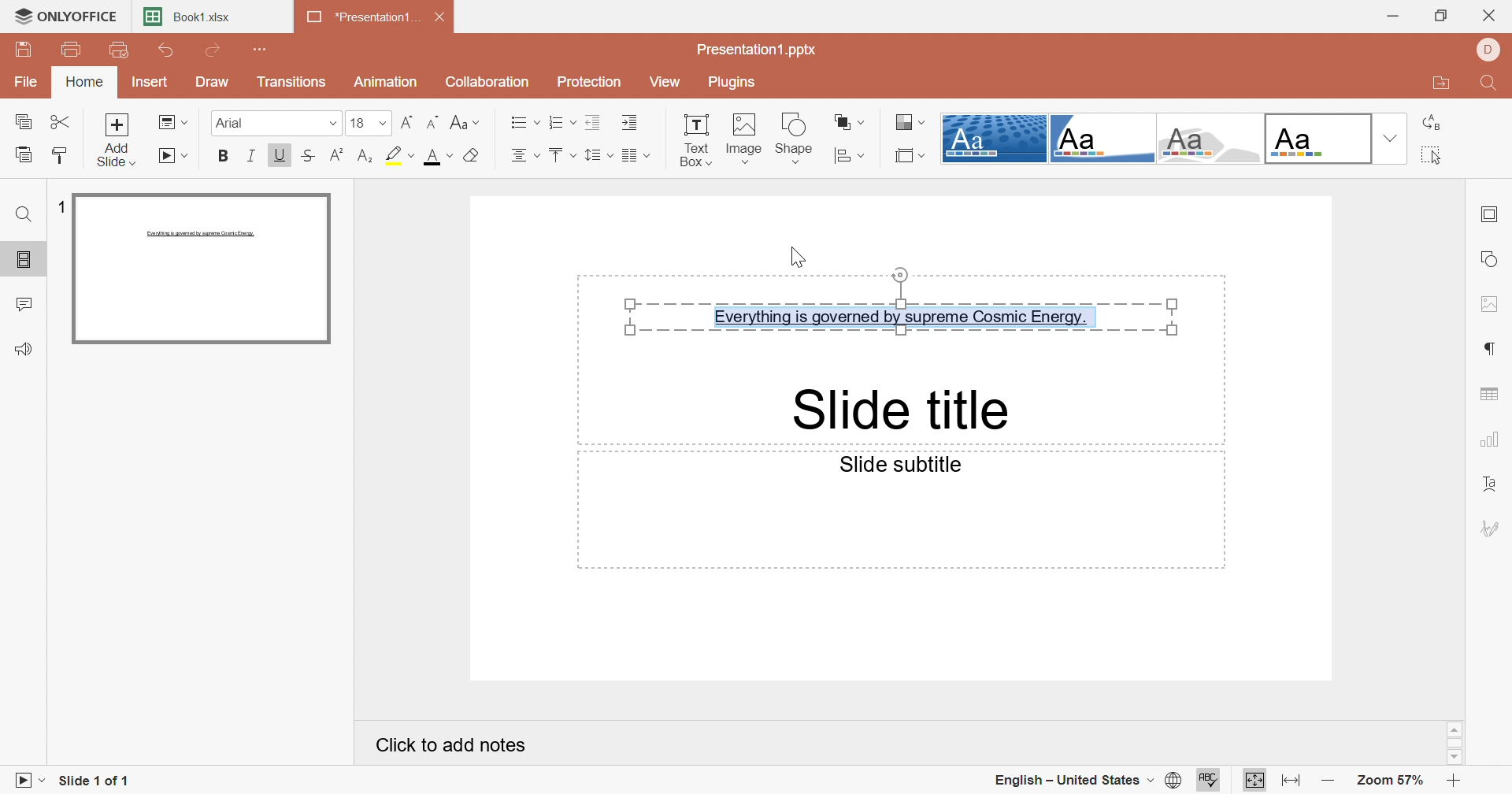 The height and width of the screenshot is (794, 1512). Describe the element at coordinates (24, 83) in the screenshot. I see `File` at that location.